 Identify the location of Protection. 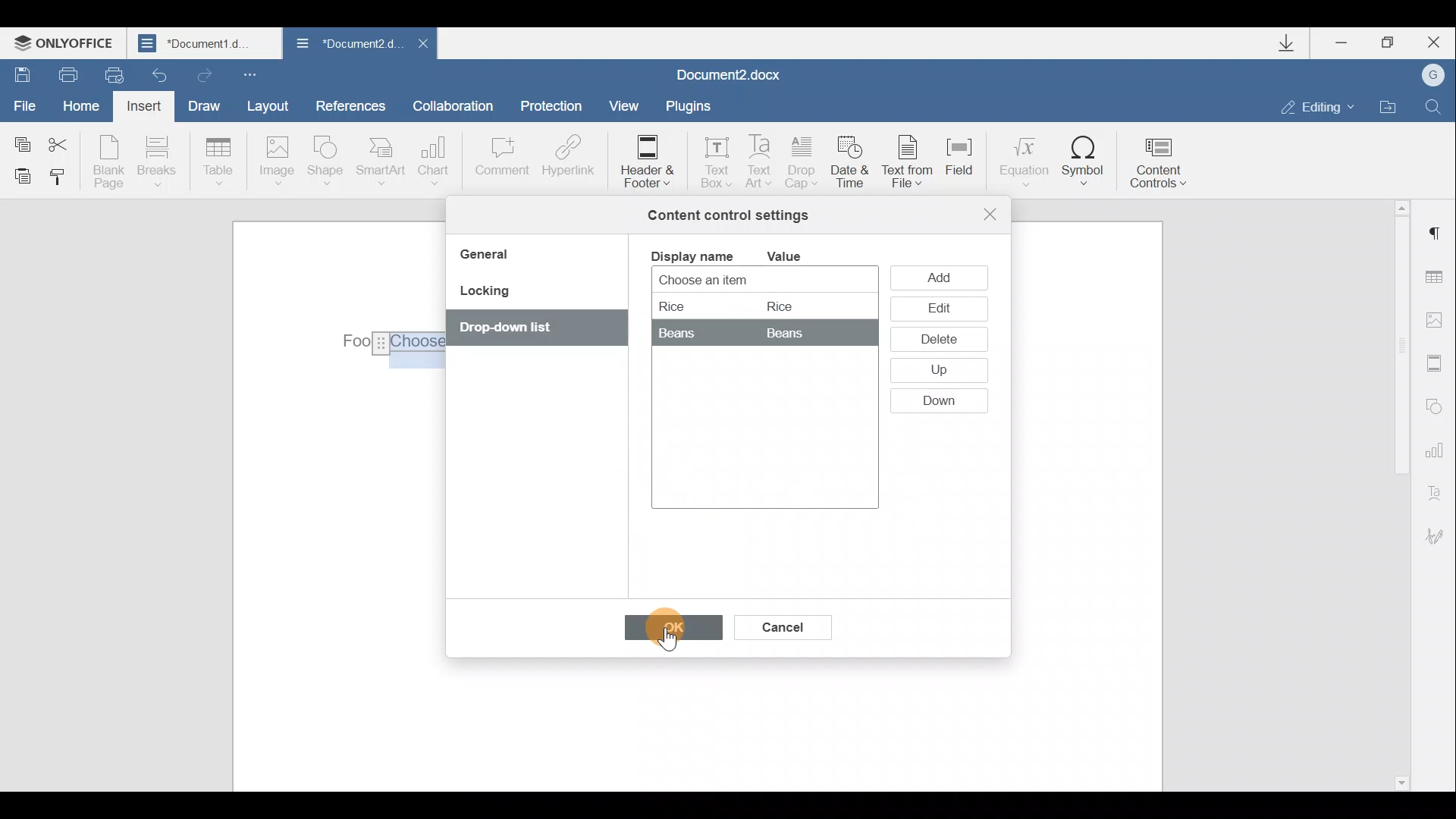
(555, 108).